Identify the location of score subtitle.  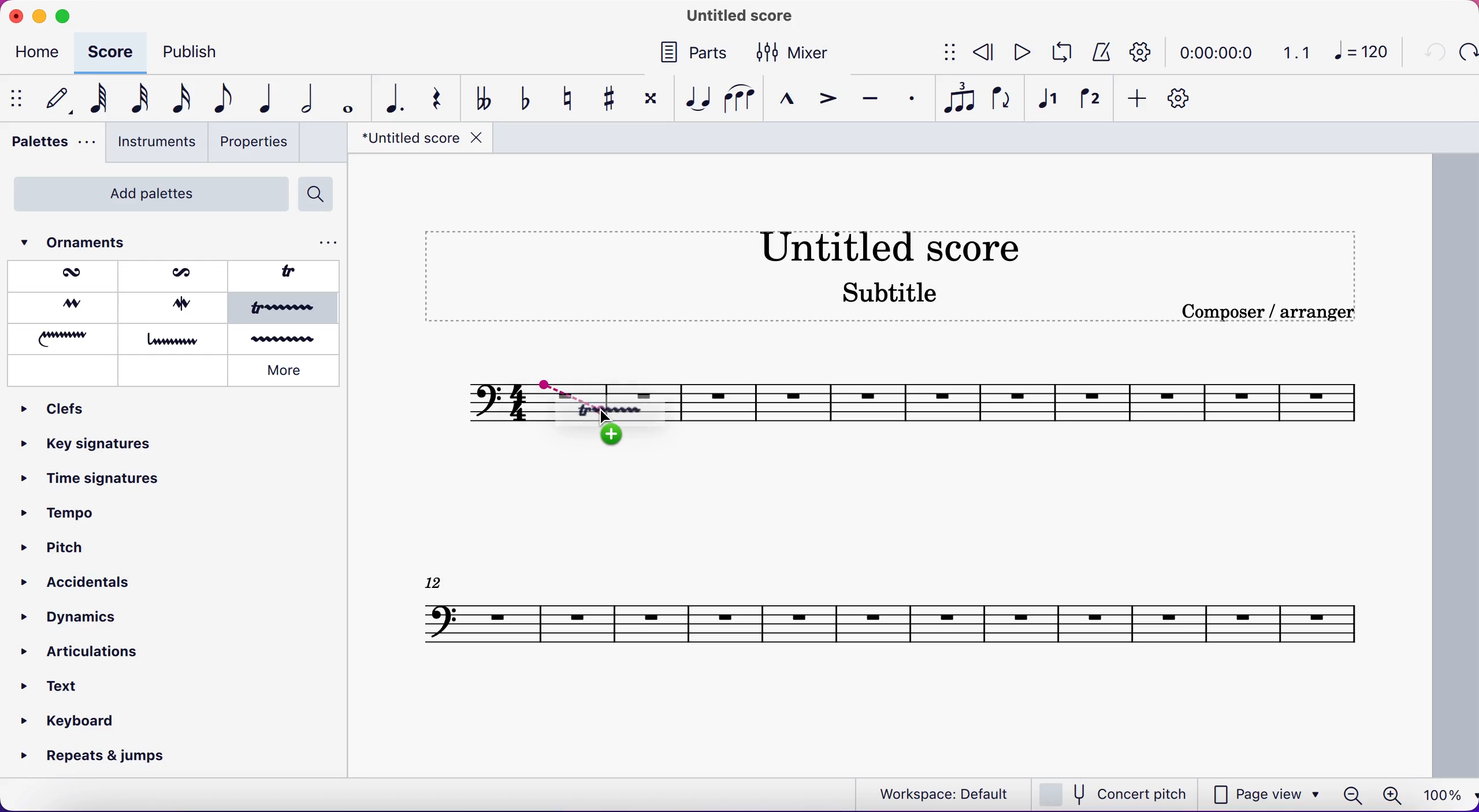
(895, 299).